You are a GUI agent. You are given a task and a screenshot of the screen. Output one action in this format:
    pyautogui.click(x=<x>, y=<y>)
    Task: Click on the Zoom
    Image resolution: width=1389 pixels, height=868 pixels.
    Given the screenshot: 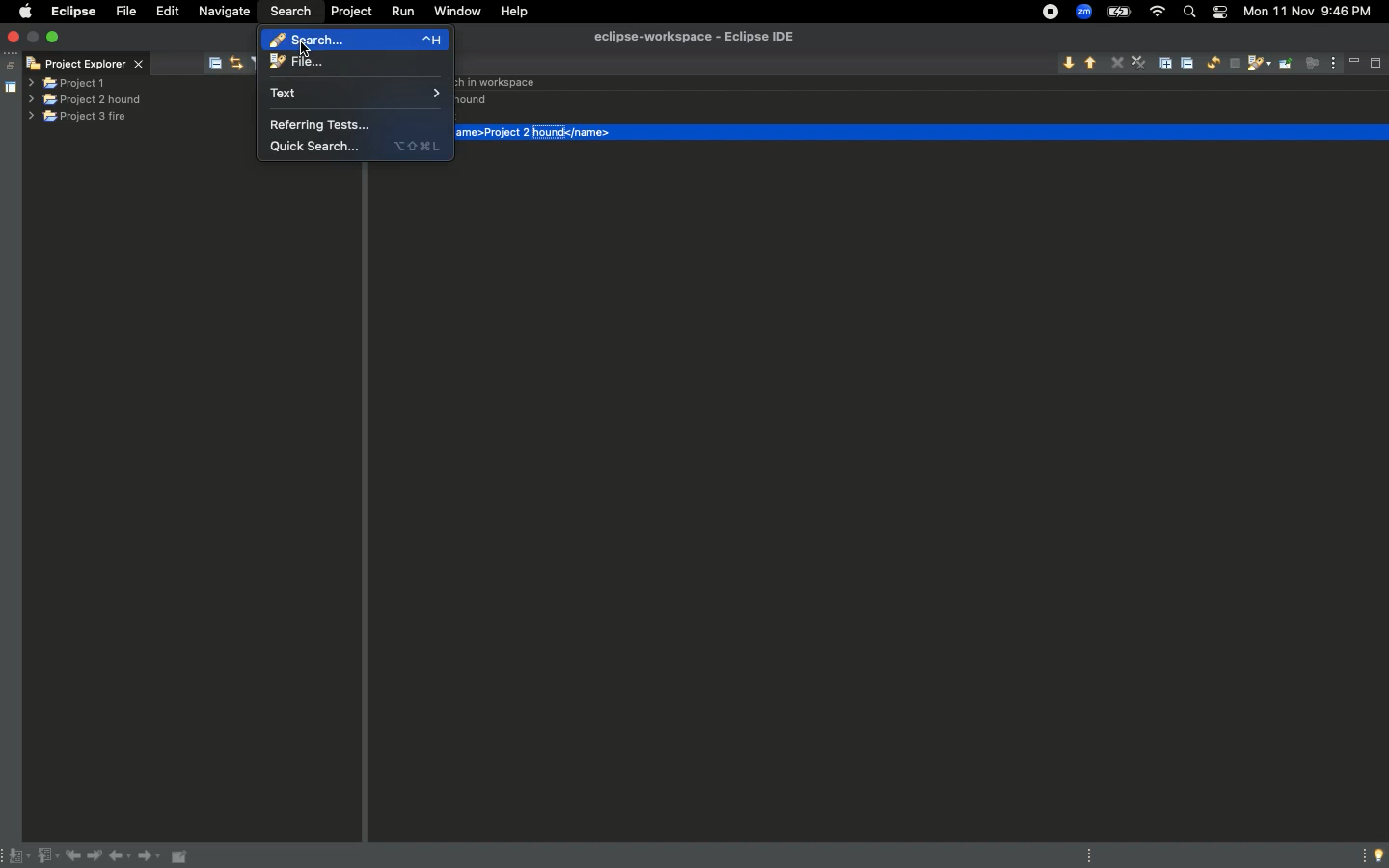 What is the action you would take?
    pyautogui.click(x=1084, y=14)
    